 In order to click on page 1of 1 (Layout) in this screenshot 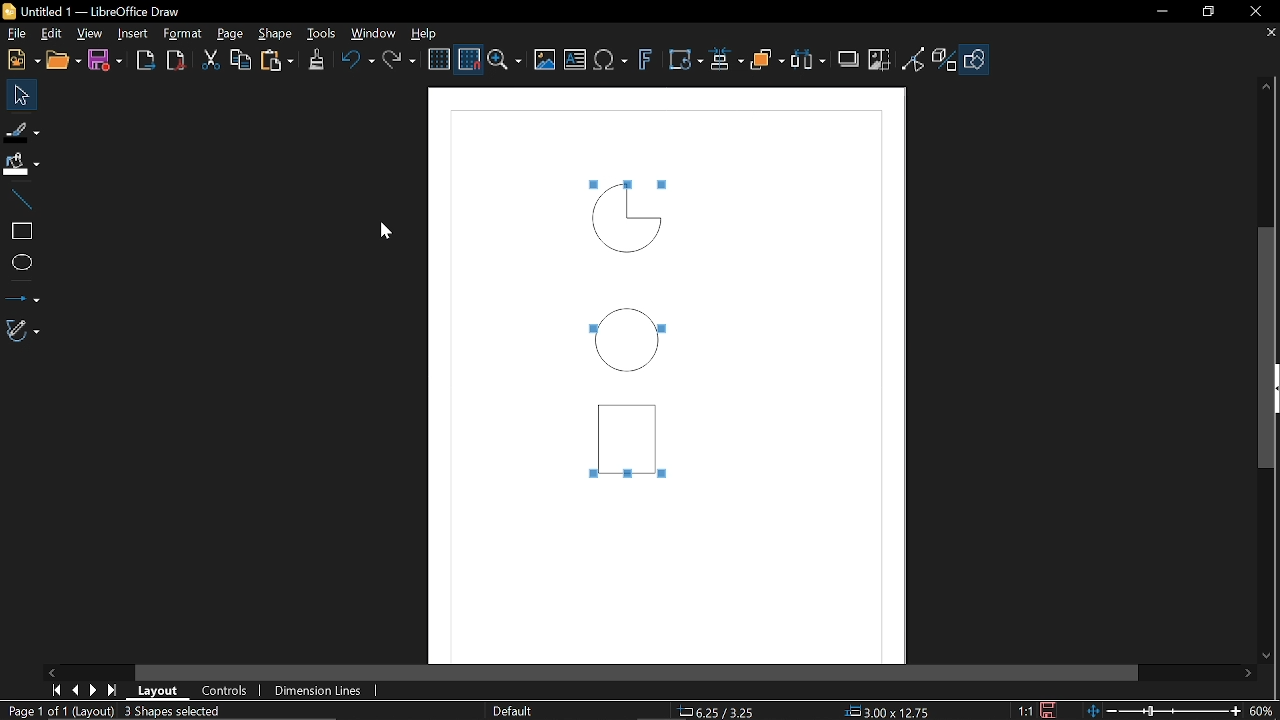, I will do `click(60, 710)`.